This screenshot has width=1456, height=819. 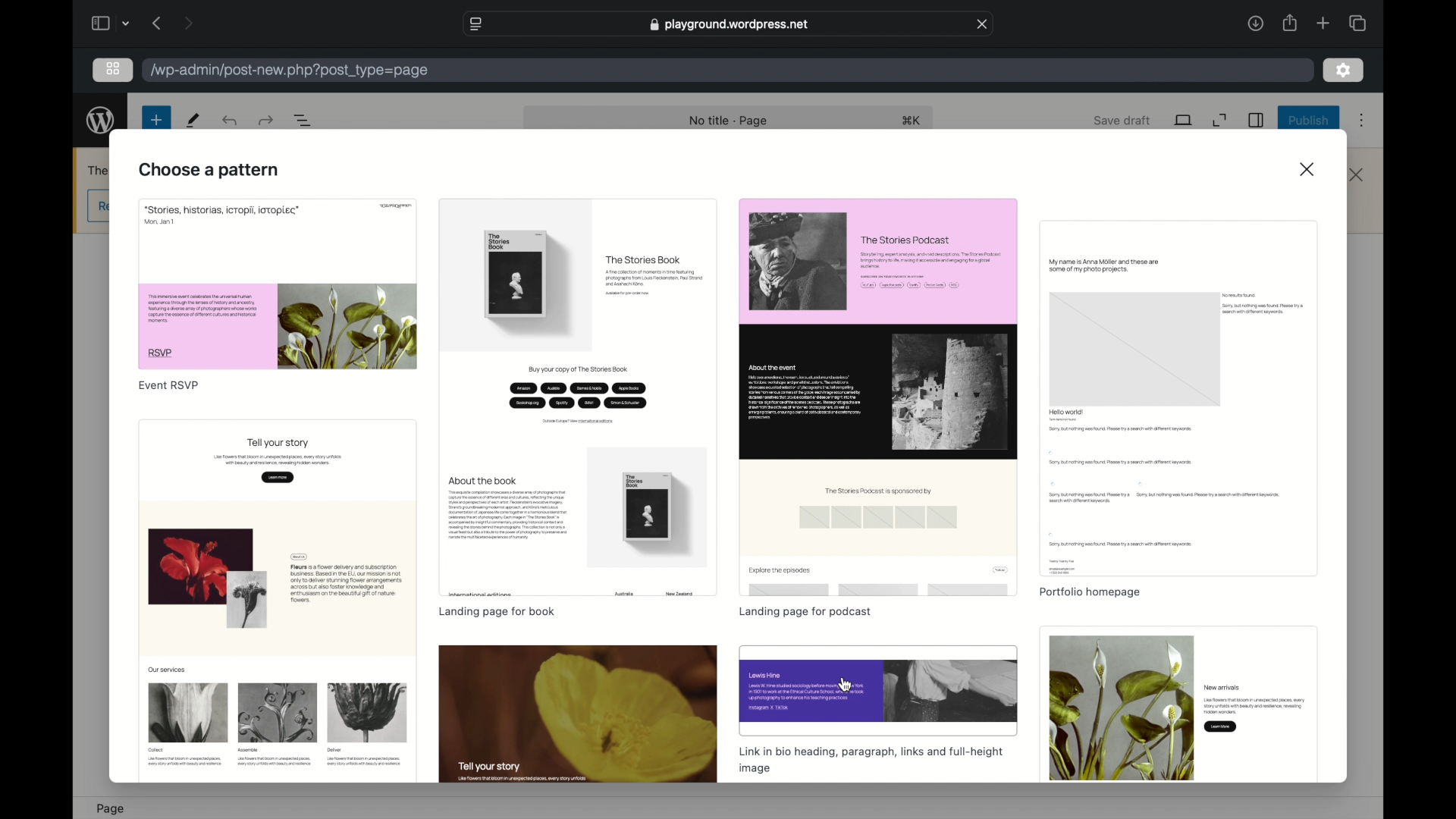 What do you see at coordinates (1310, 121) in the screenshot?
I see `publish` at bounding box center [1310, 121].